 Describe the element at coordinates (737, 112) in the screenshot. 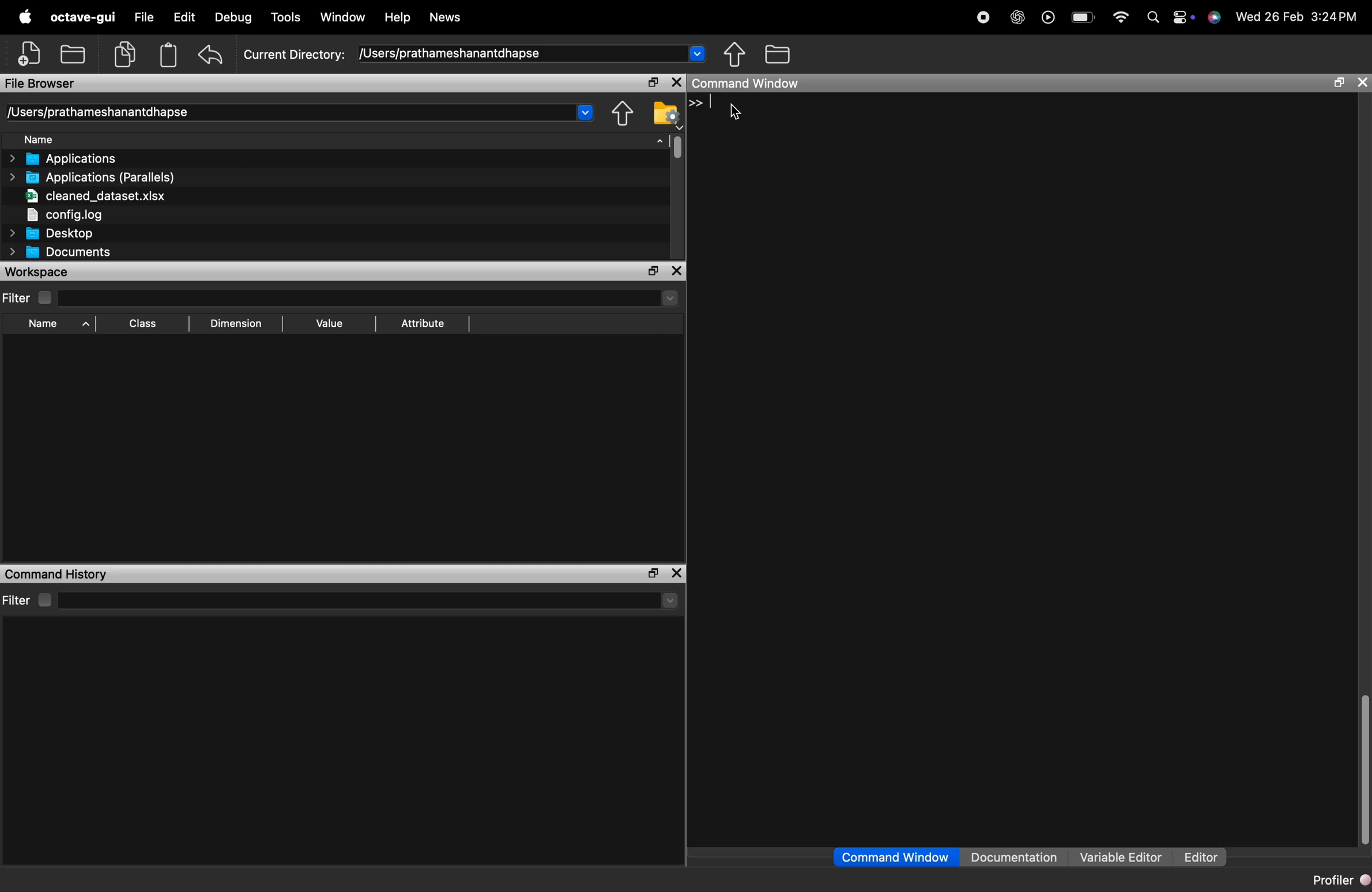

I see `Cursor` at that location.